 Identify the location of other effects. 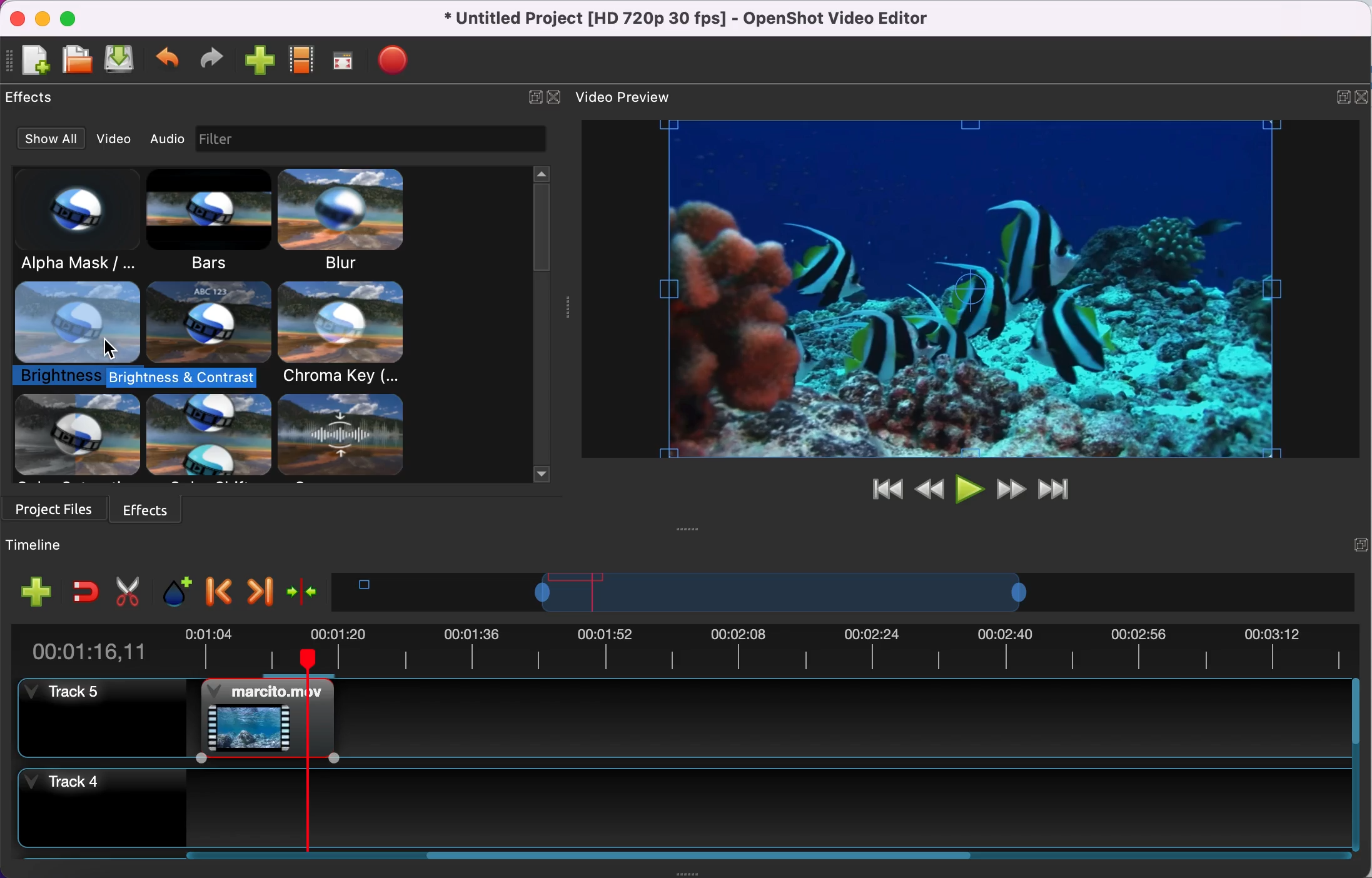
(216, 438).